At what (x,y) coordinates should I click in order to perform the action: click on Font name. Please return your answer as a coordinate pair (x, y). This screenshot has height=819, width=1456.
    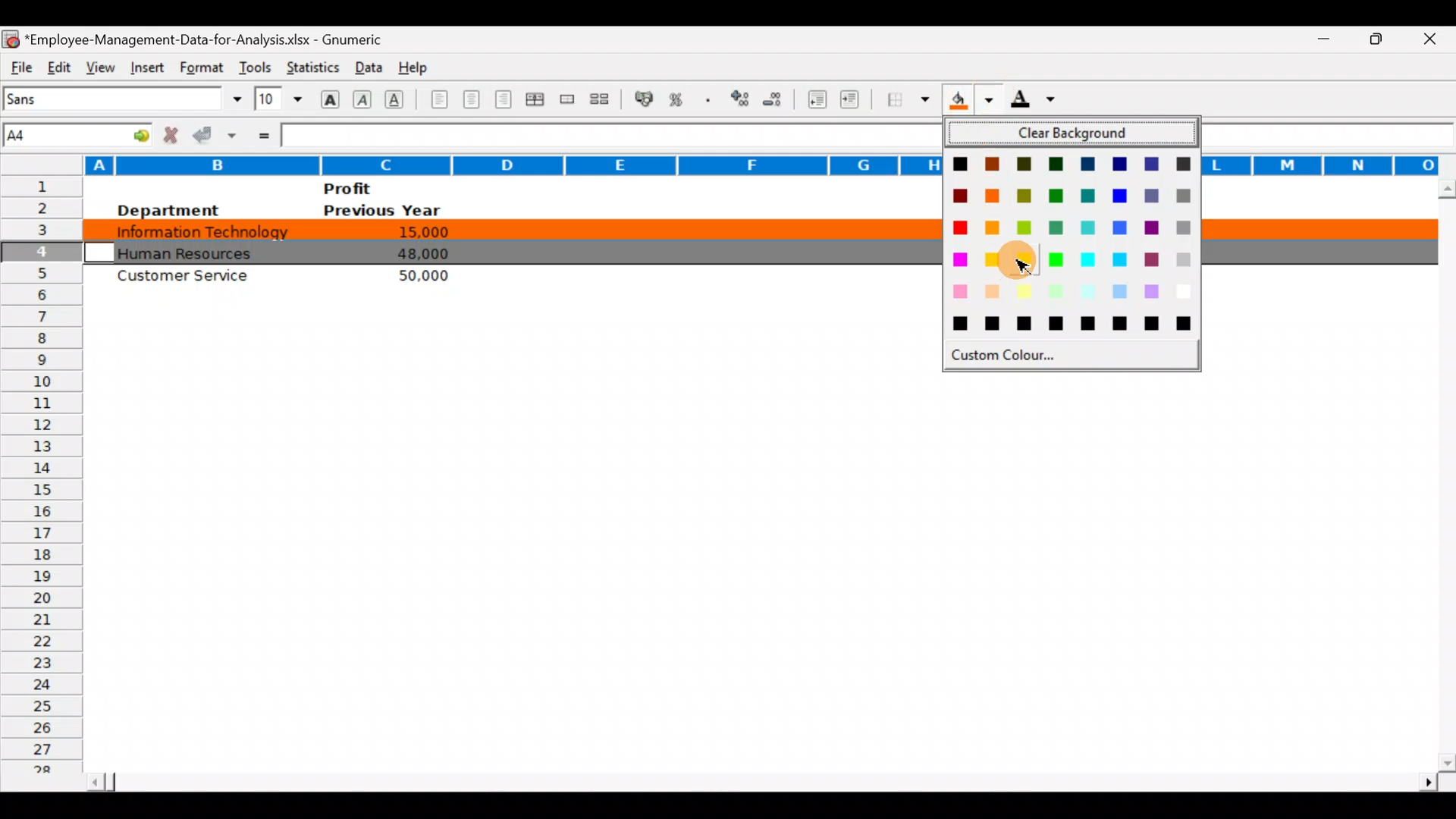
    Looking at the image, I should click on (124, 99).